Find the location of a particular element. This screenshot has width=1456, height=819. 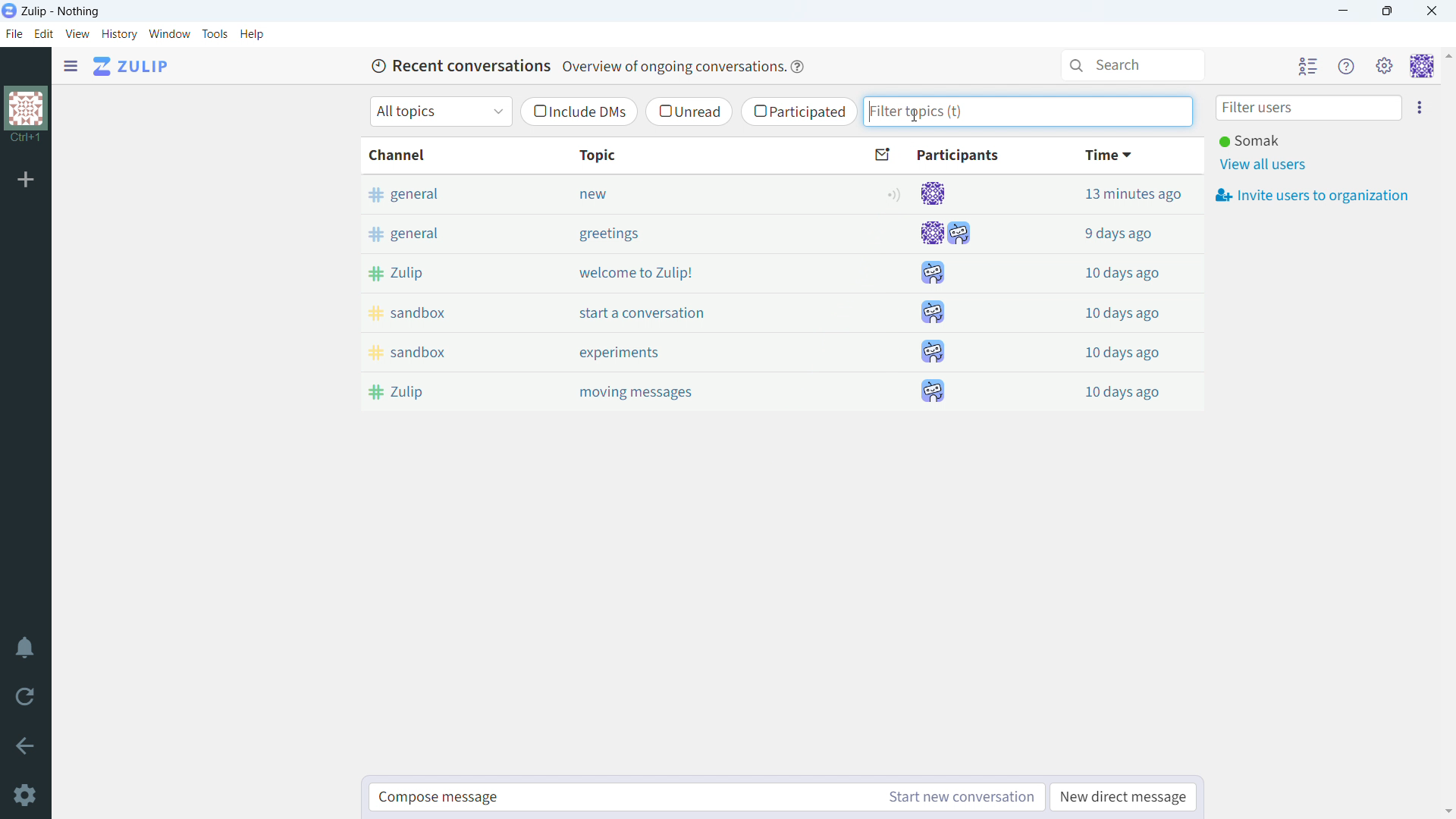

title is located at coordinates (61, 11).